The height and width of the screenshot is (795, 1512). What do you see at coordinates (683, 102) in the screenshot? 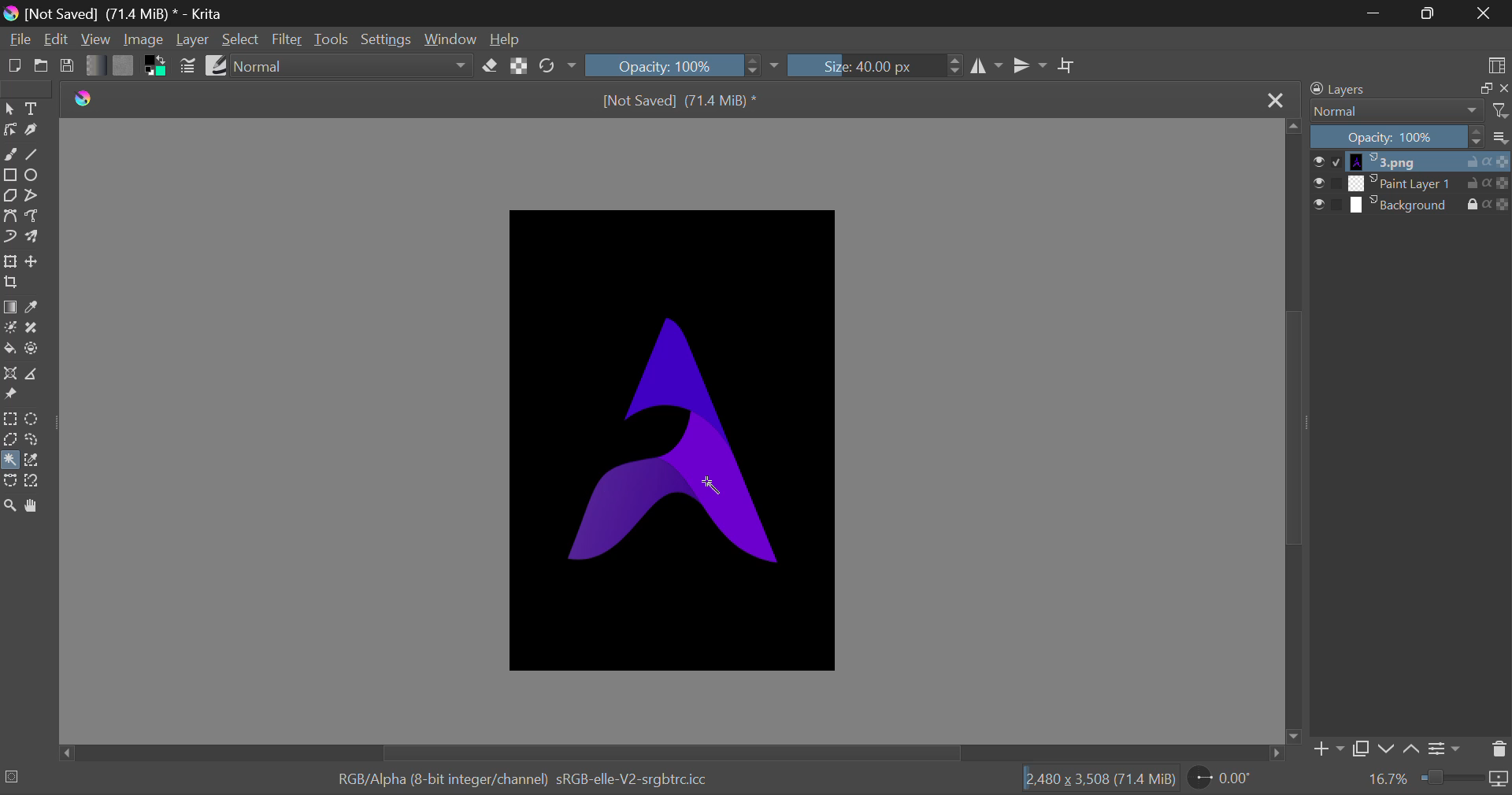
I see `[Not Saved] (71.4 MiB) *` at bounding box center [683, 102].